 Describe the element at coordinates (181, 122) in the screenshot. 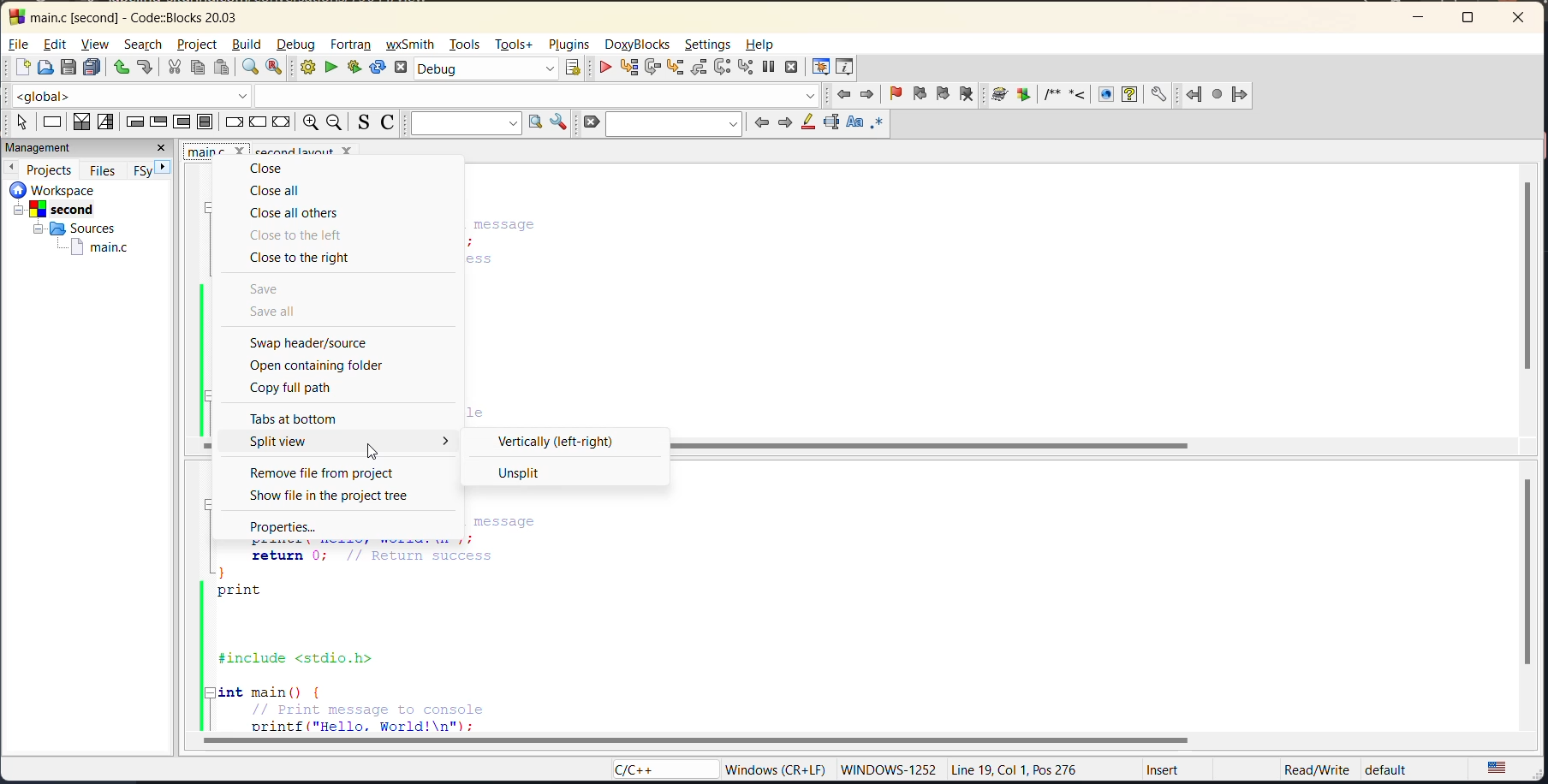

I see `counting loop` at that location.